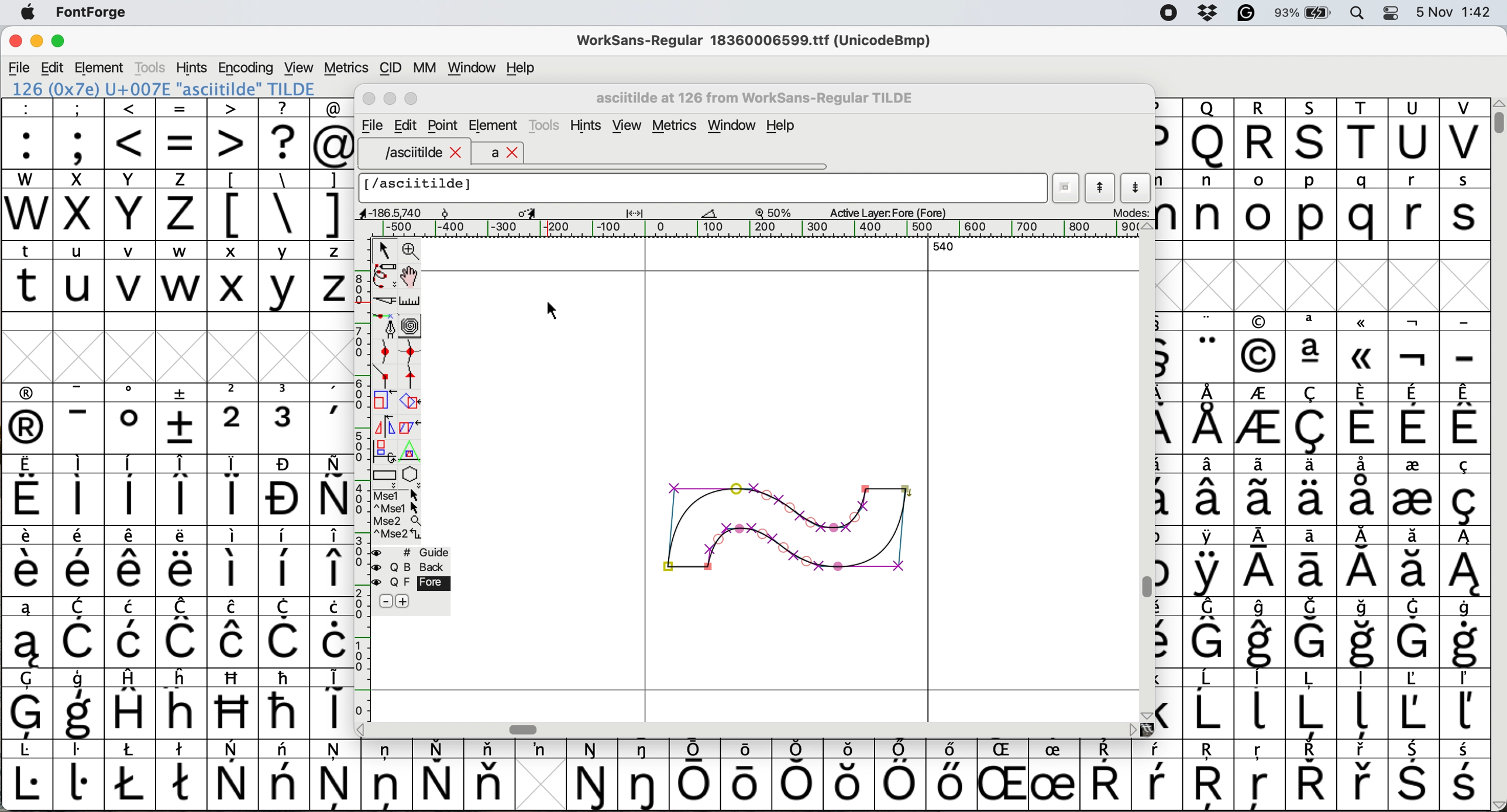 The width and height of the screenshot is (1507, 812). I want to click on control center, so click(1394, 12).